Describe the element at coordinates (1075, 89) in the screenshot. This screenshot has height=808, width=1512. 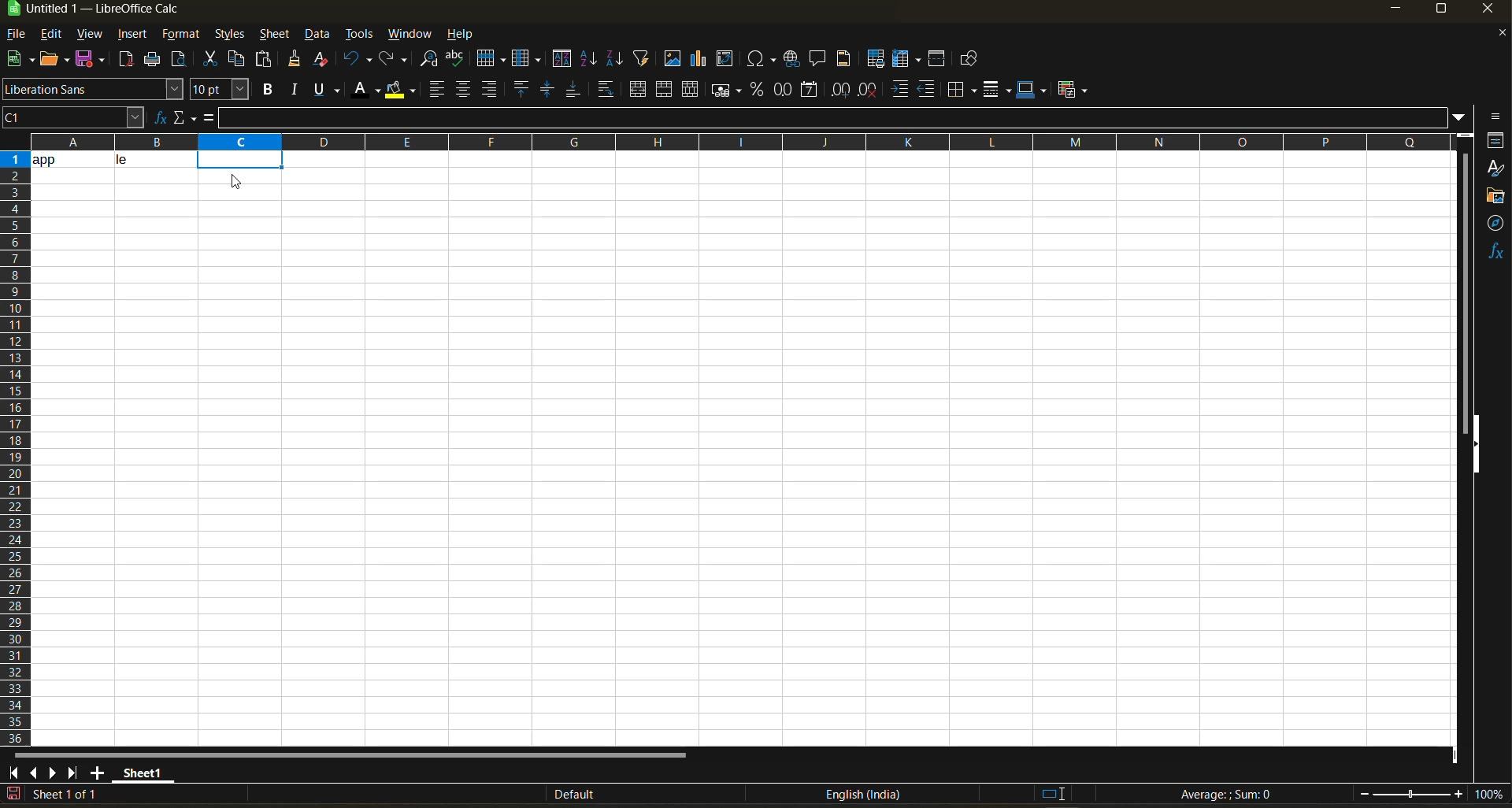
I see `conditional` at that location.